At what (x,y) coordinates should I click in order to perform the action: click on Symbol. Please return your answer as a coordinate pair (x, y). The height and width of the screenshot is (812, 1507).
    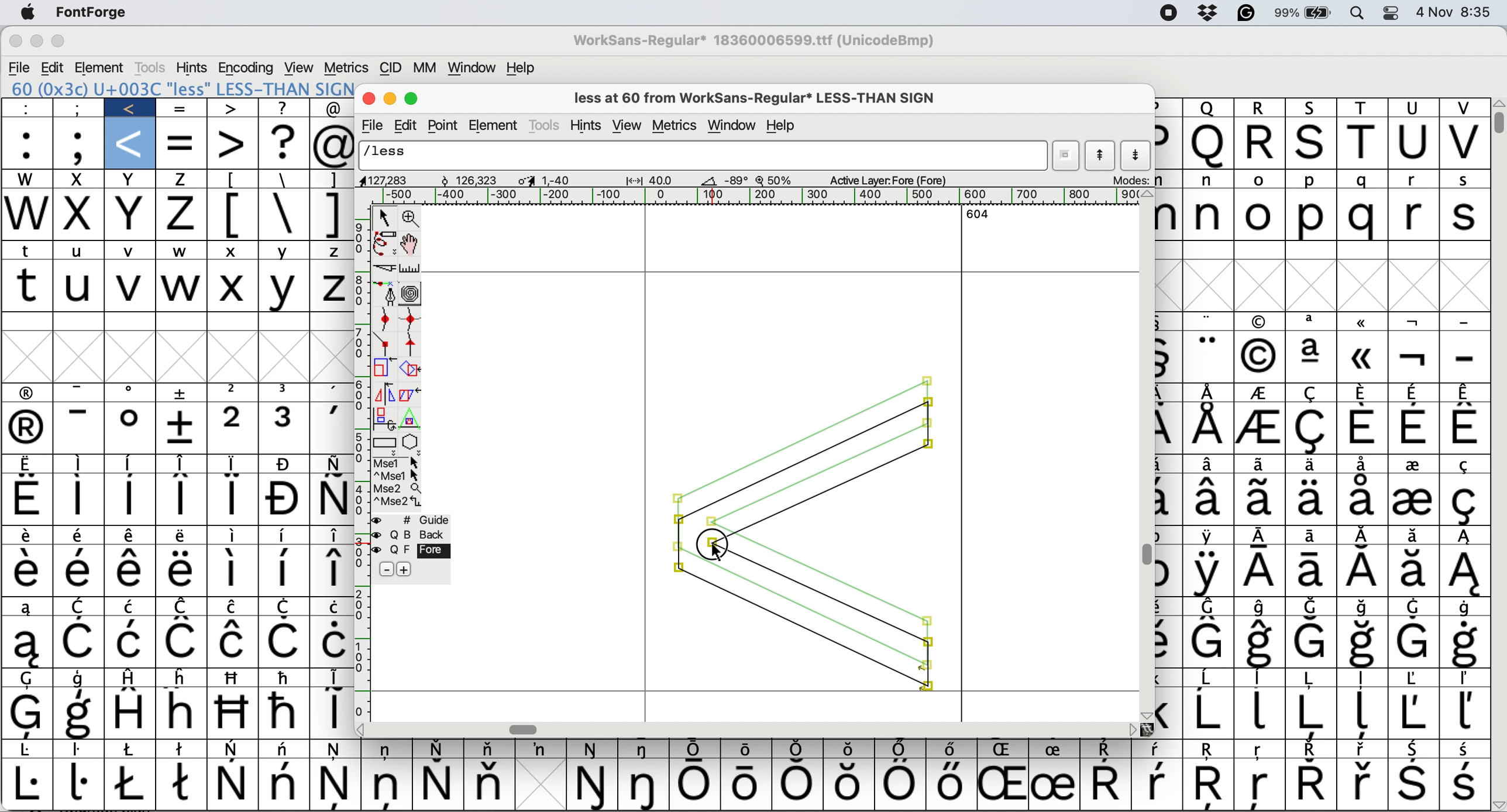
    Looking at the image, I should click on (1413, 358).